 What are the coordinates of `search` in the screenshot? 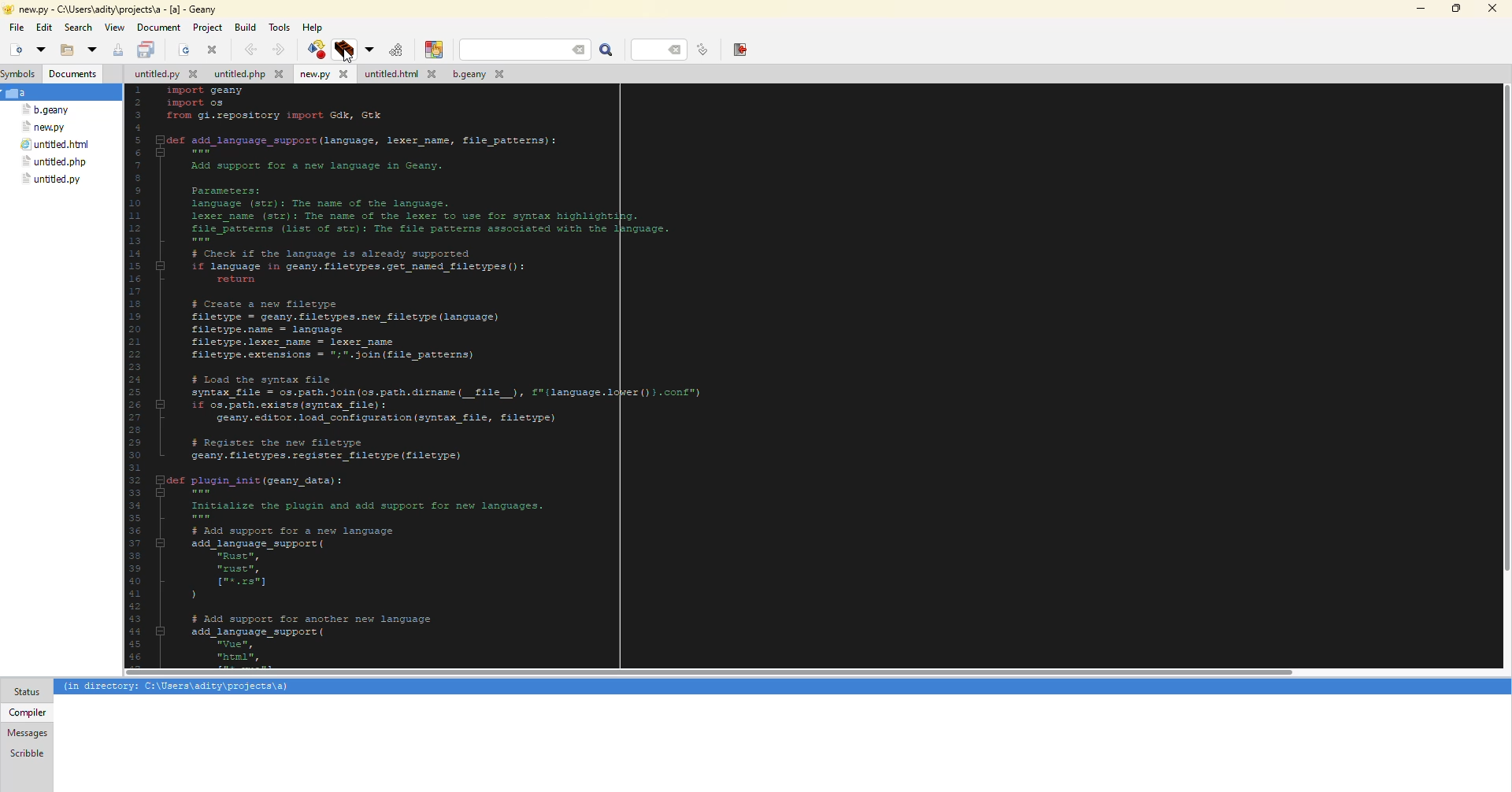 It's located at (80, 28).